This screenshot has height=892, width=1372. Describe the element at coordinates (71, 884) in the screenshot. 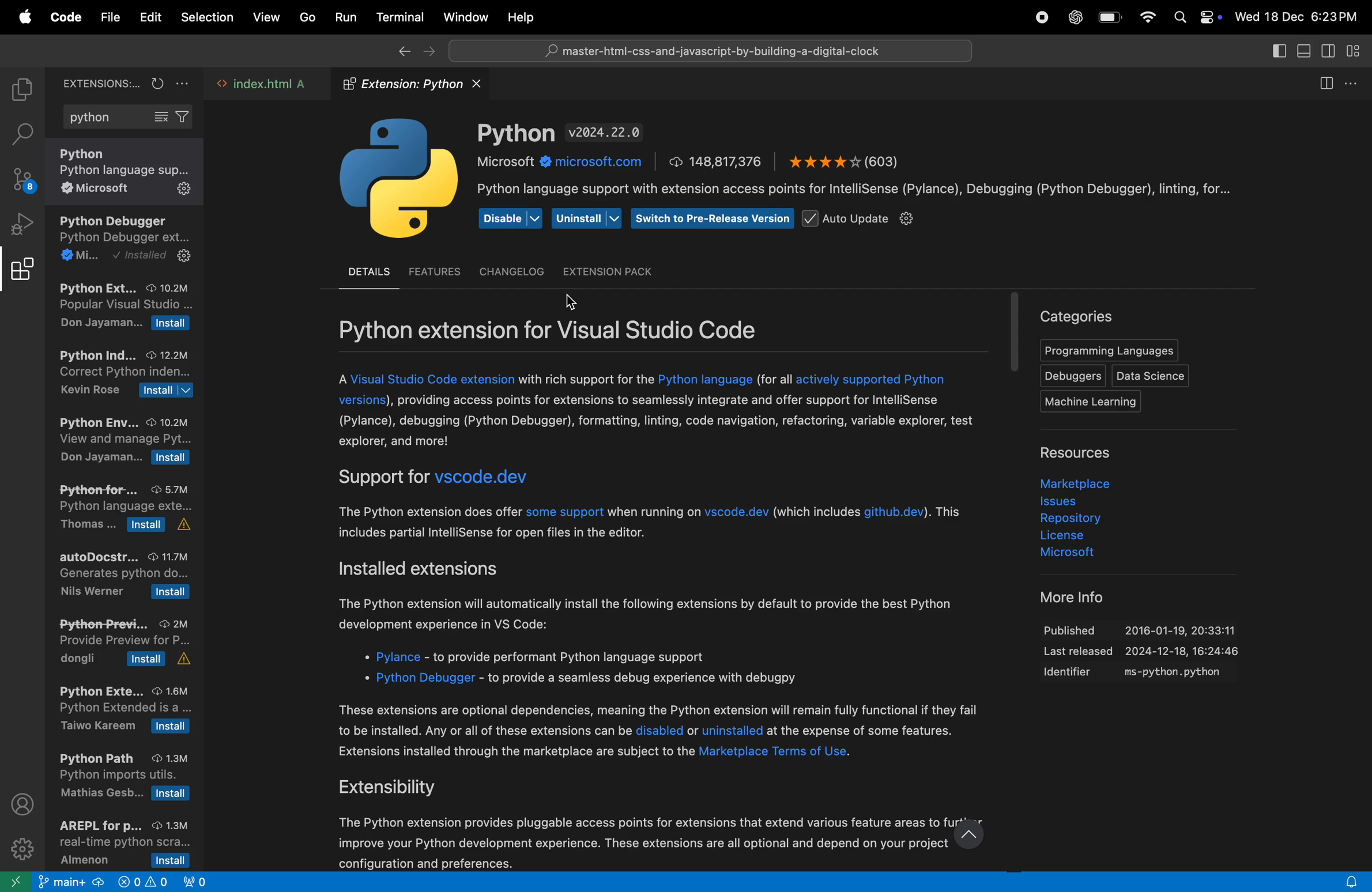

I see `main git` at that location.